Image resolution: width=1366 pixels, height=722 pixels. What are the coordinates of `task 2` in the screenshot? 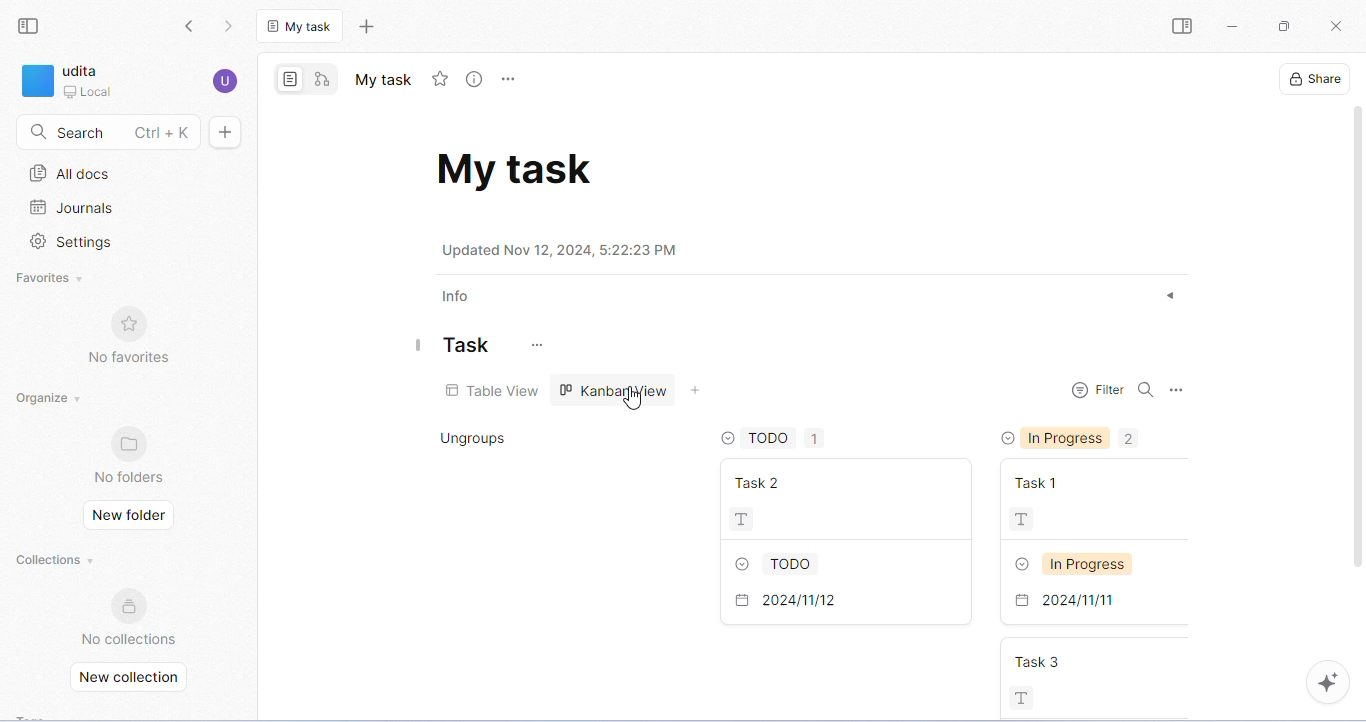 It's located at (833, 480).